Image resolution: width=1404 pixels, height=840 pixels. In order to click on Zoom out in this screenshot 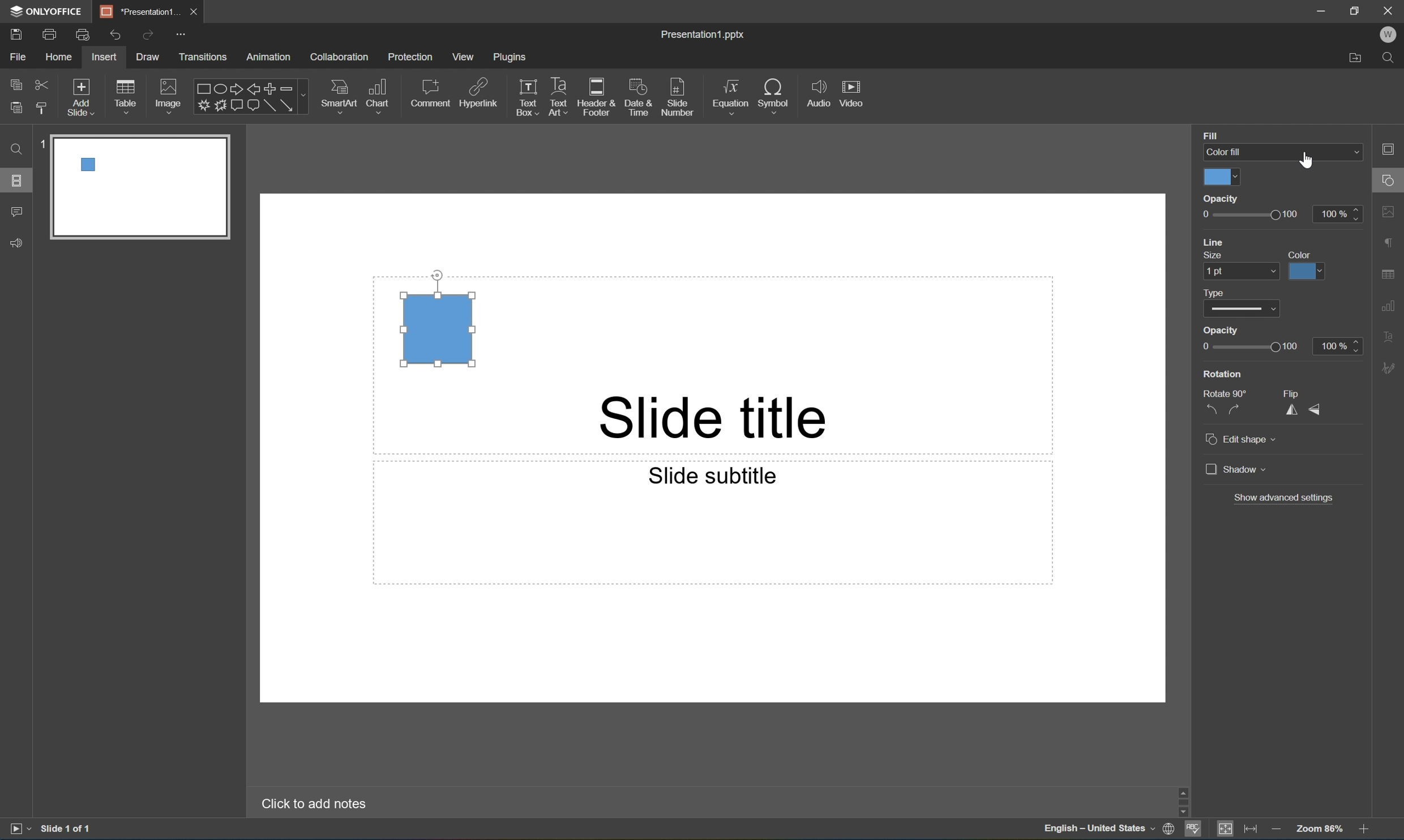, I will do `click(1273, 827)`.